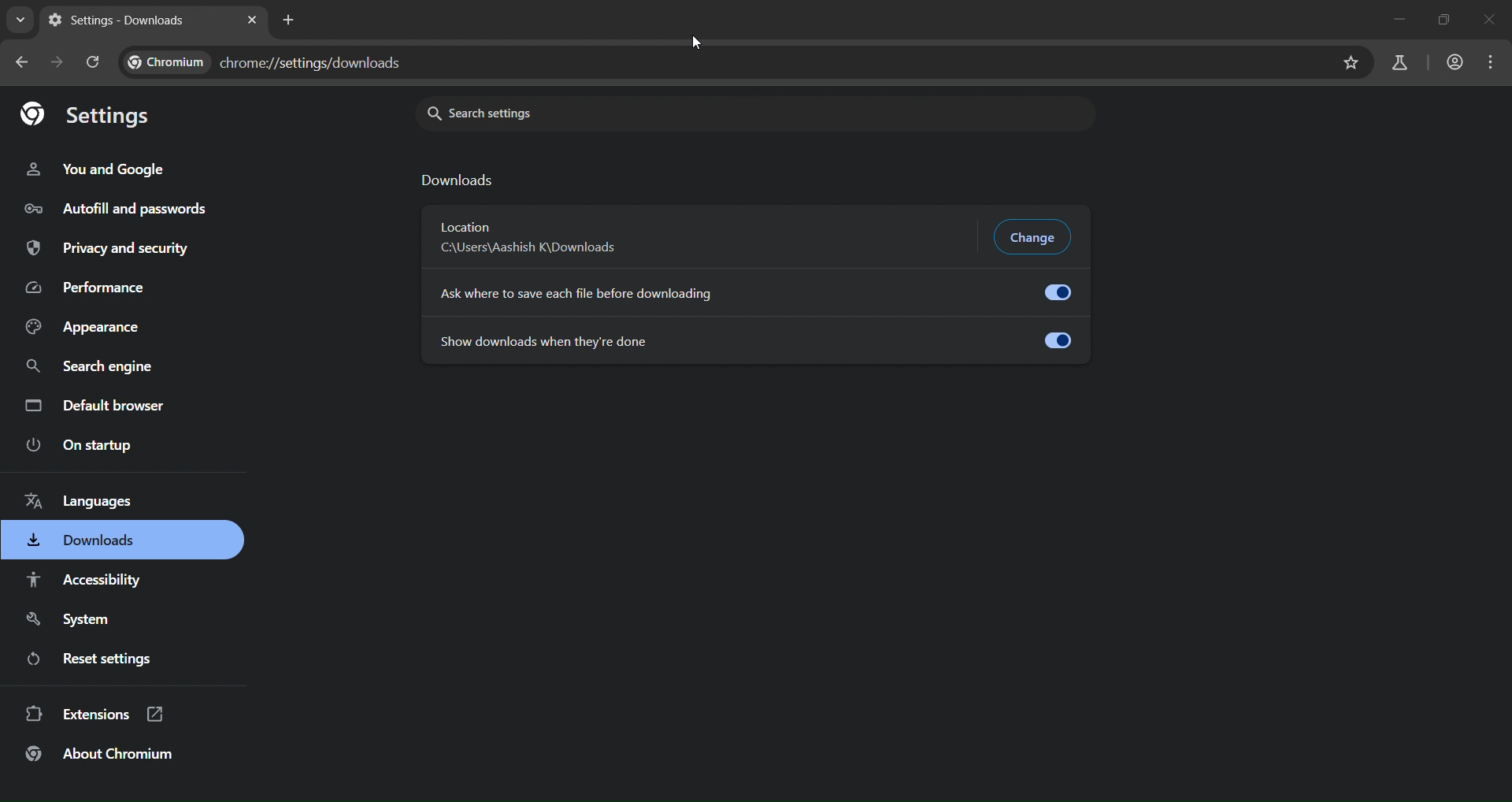  I want to click on downloads, so click(83, 543).